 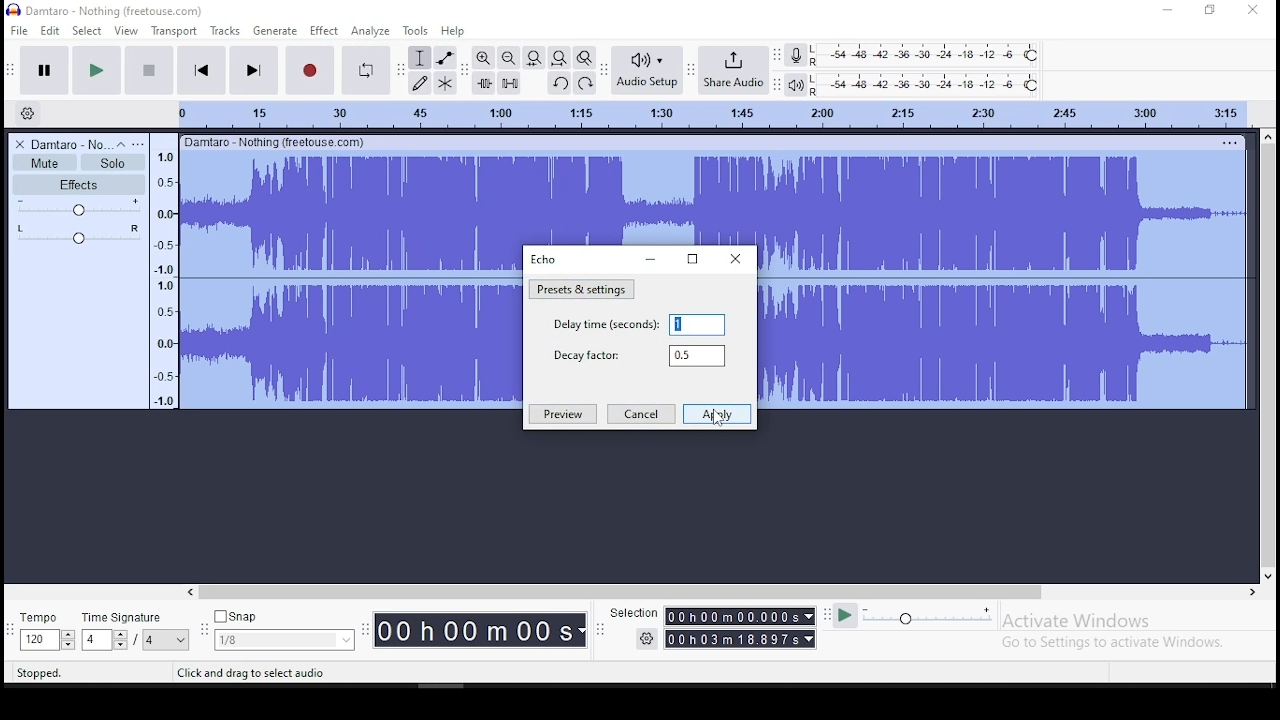 I want to click on delete track, so click(x=20, y=143).